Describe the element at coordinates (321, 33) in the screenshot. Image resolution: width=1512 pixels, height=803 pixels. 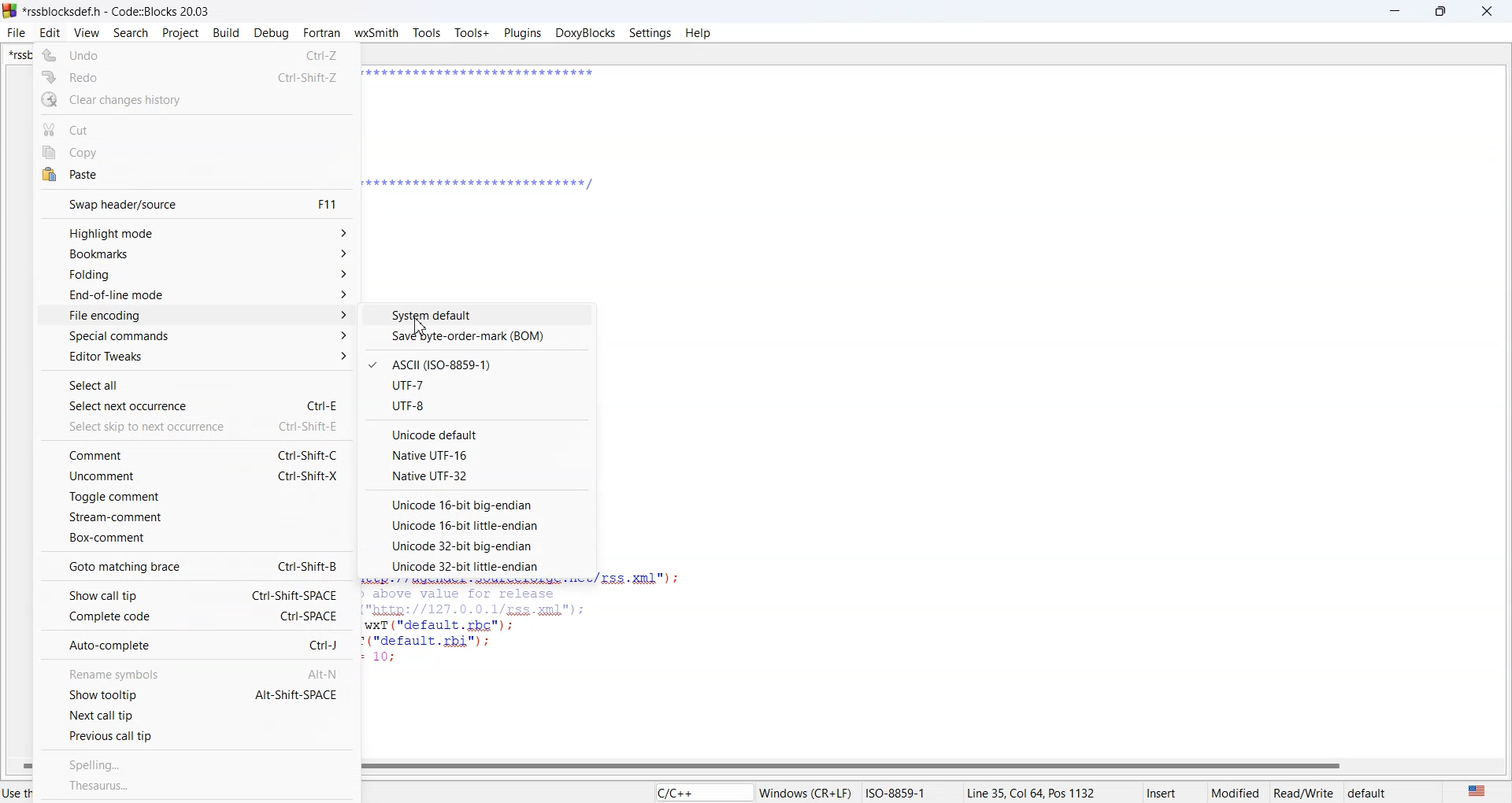
I see `Fortran` at that location.